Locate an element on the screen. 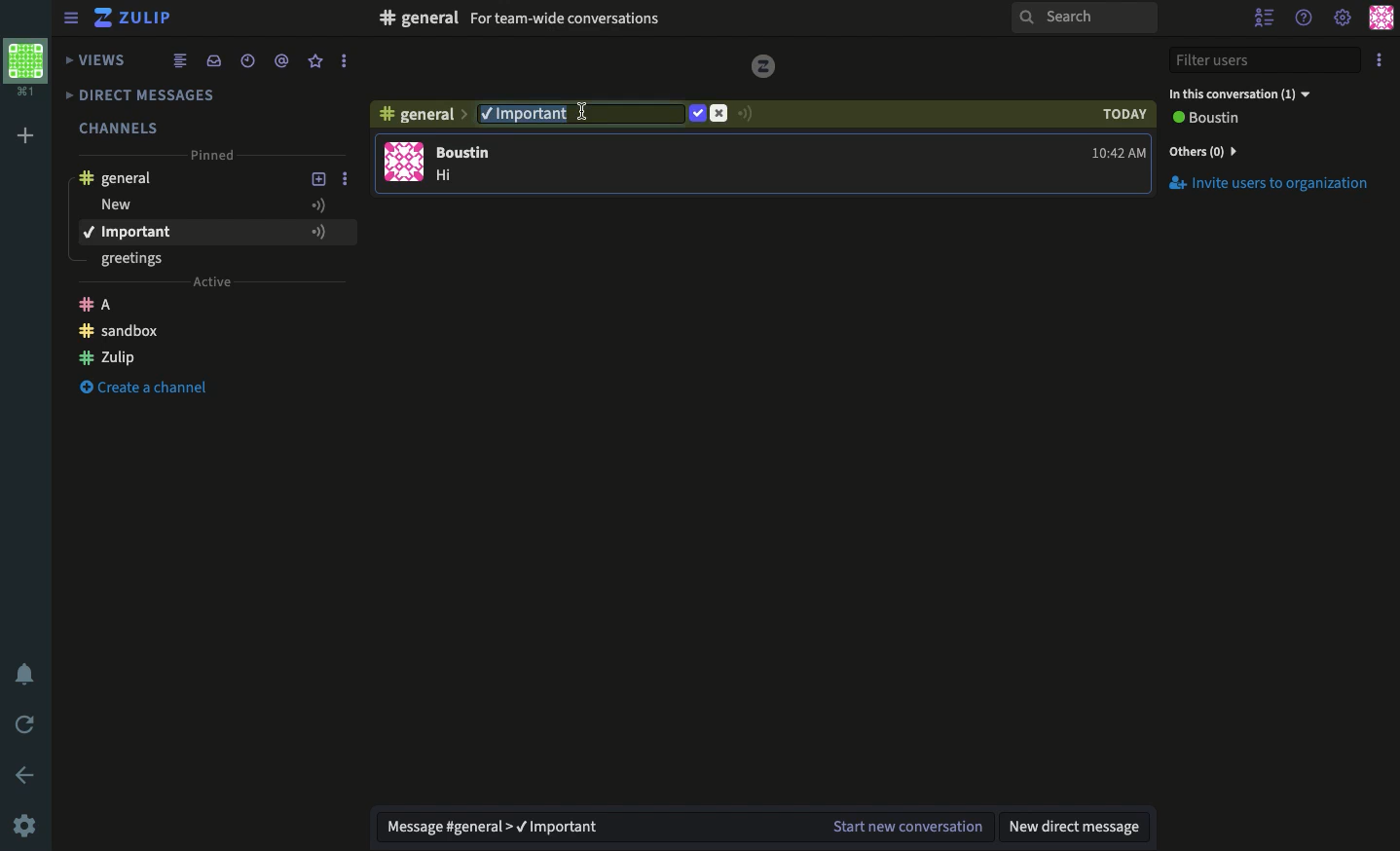 This screenshot has width=1400, height=851. View all users is located at coordinates (1220, 120).